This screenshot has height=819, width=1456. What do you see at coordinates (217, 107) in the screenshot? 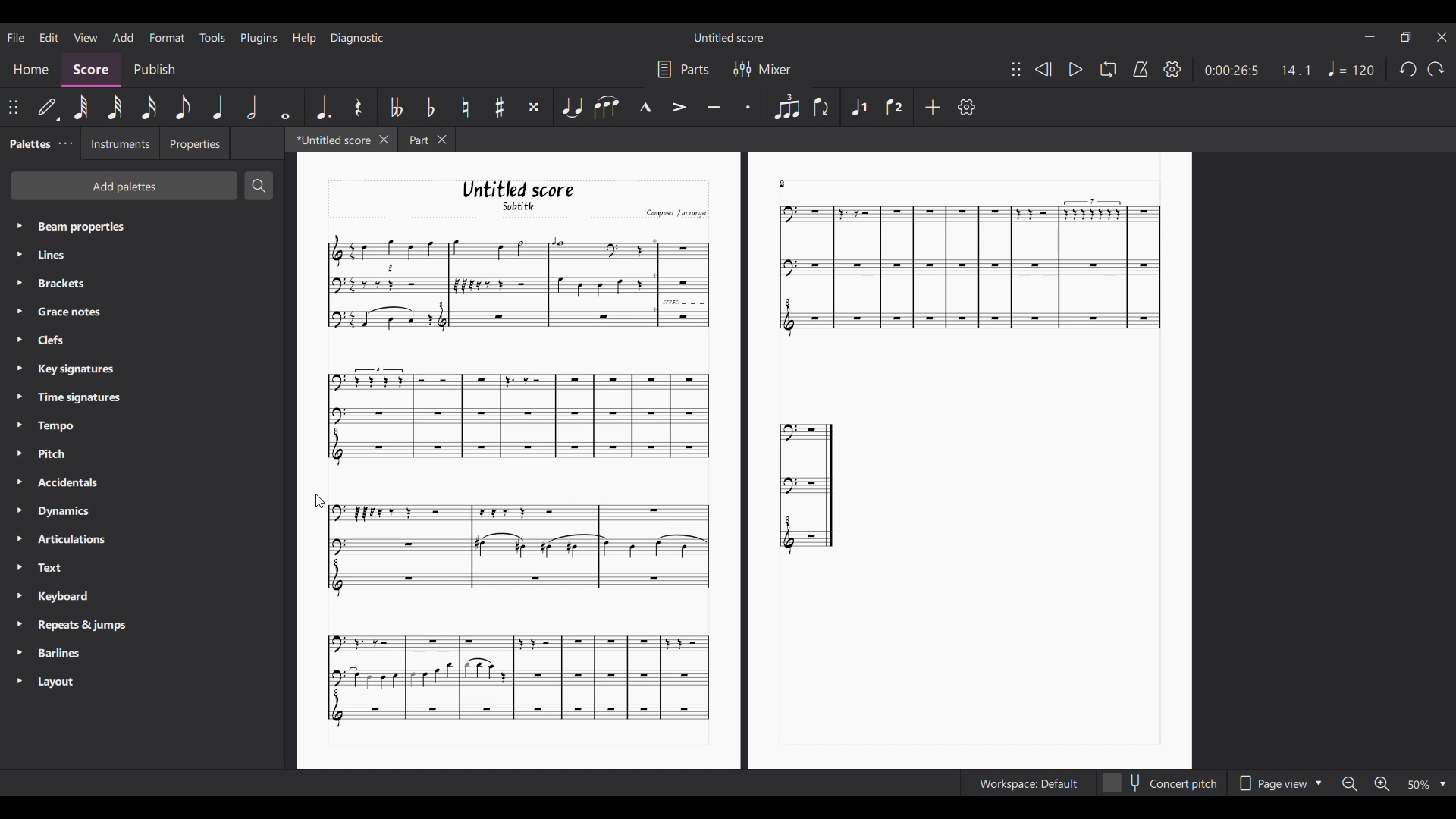
I see `Quarter note` at bounding box center [217, 107].